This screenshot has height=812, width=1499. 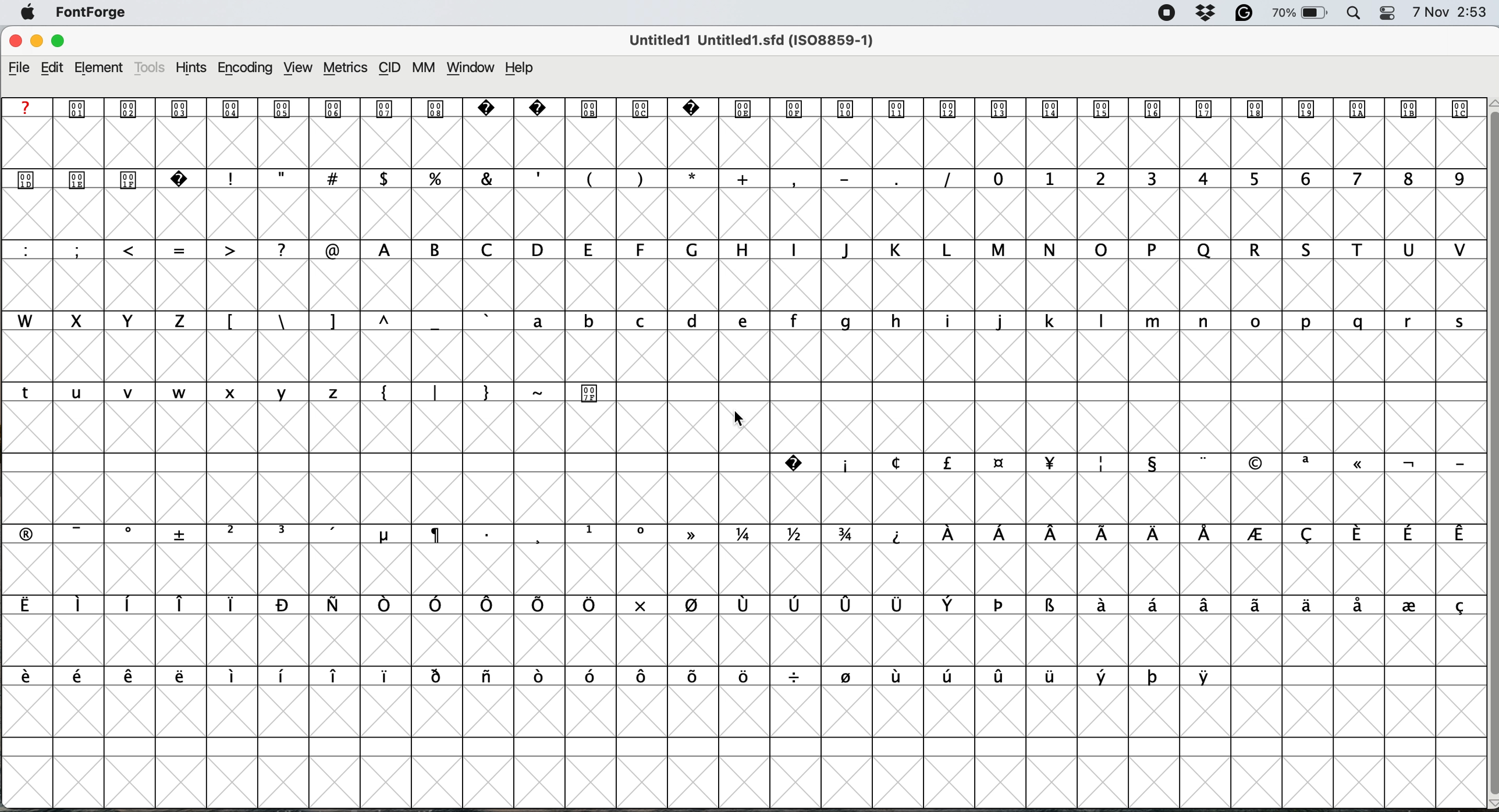 I want to click on cursor, so click(x=735, y=421).